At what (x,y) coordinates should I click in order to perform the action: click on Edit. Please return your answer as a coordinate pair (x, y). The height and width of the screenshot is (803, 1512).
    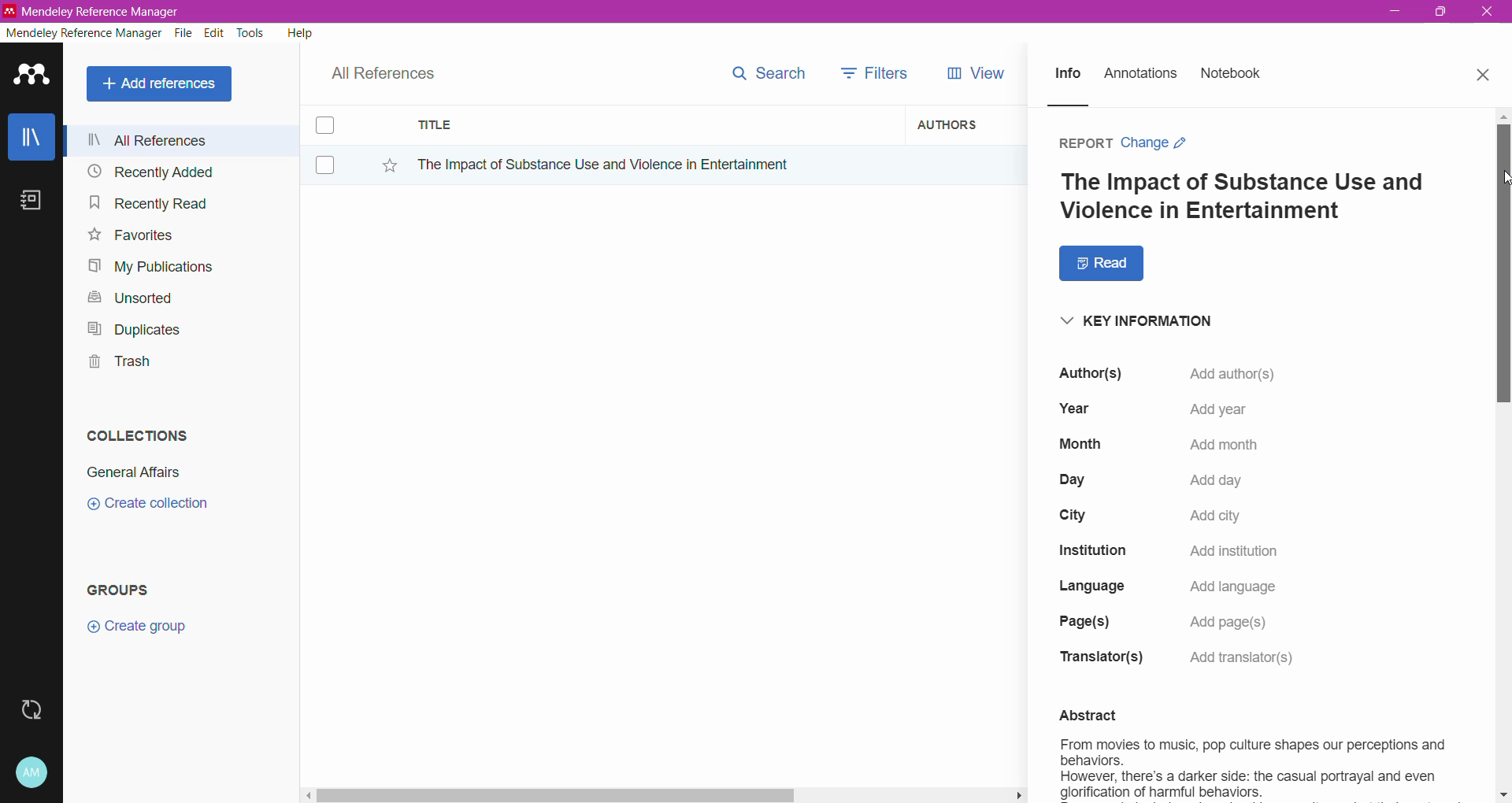
    Looking at the image, I should click on (214, 33).